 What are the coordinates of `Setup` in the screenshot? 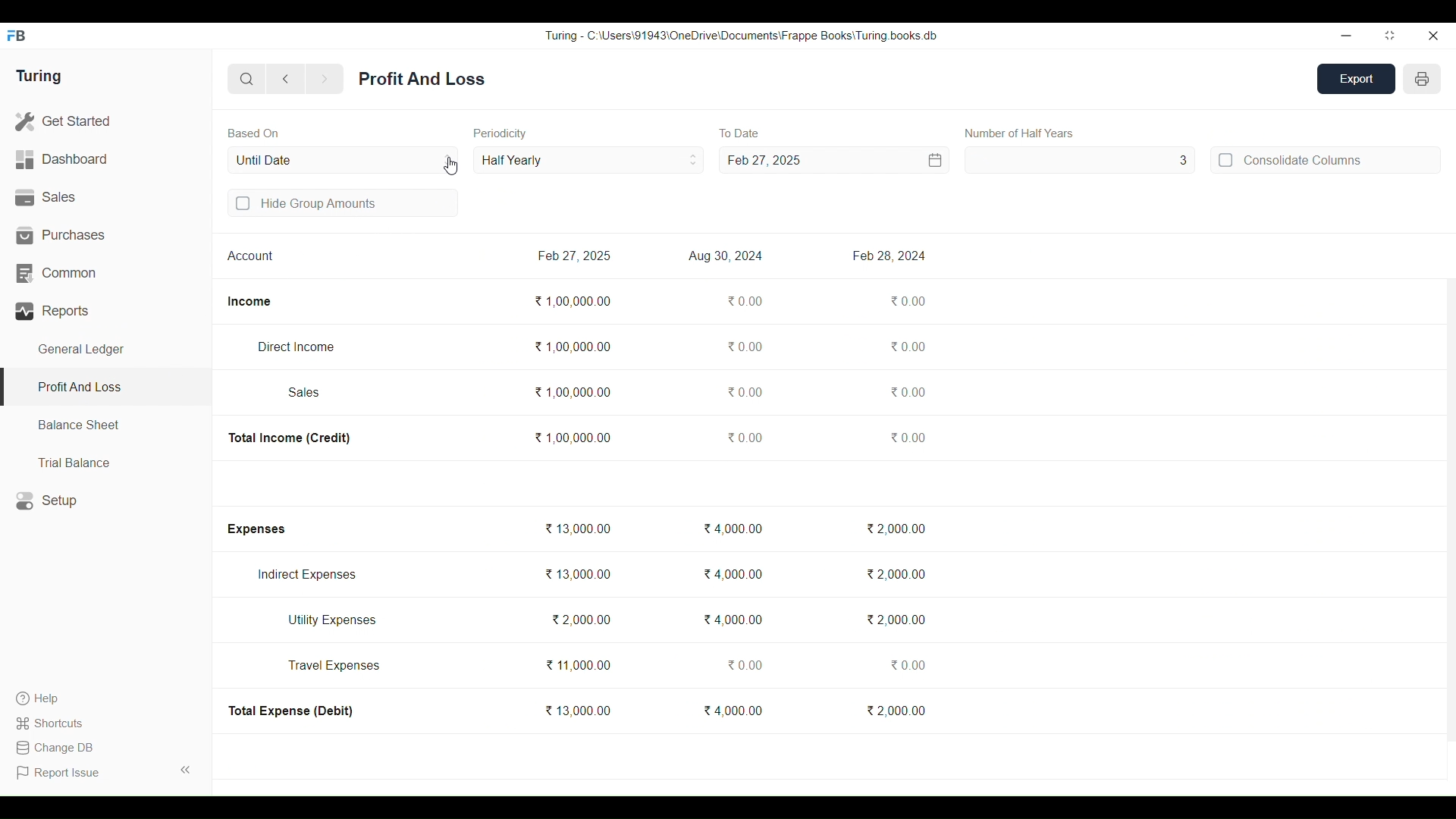 It's located at (106, 500).